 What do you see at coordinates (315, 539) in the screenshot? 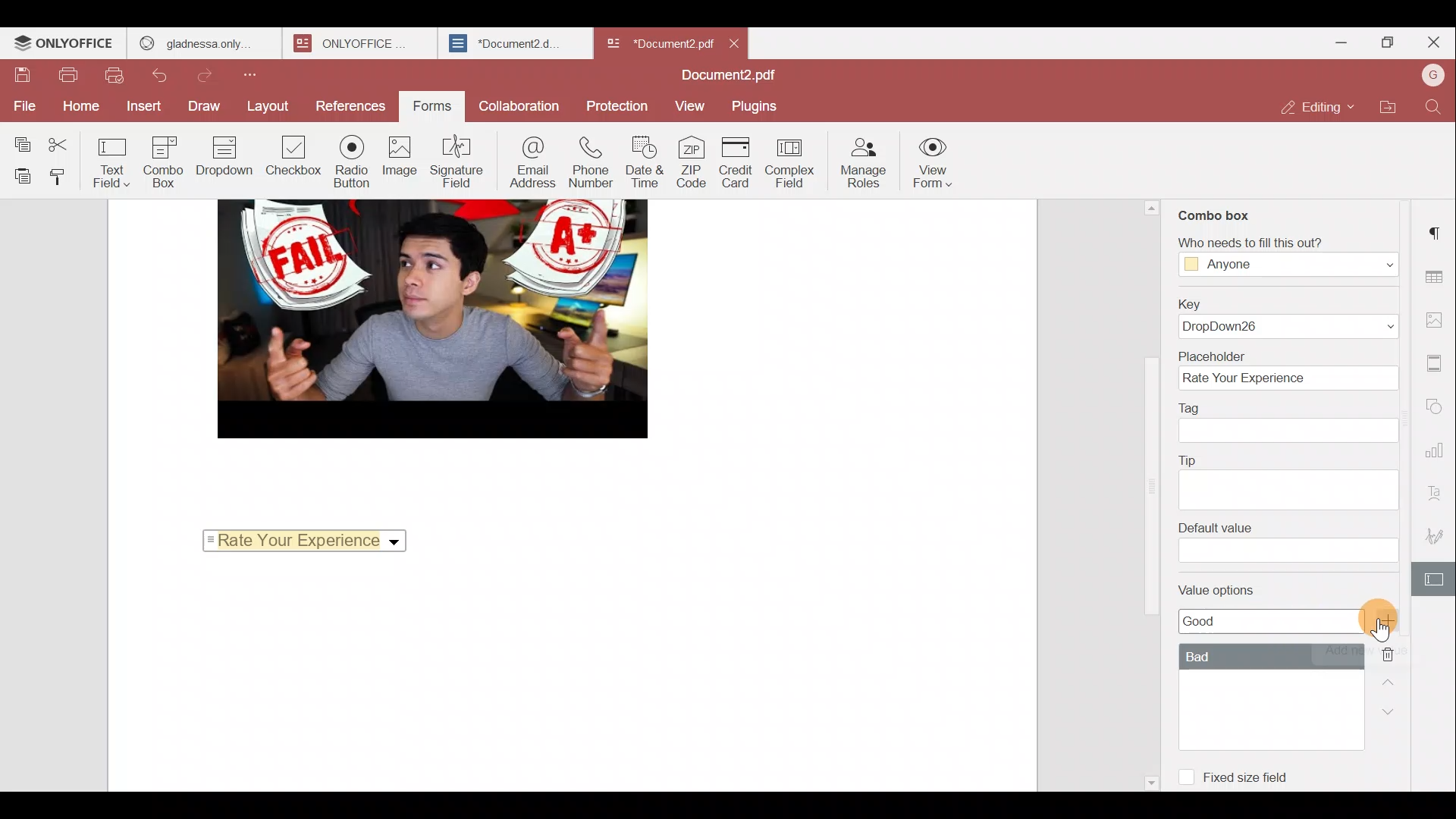
I see `Rate Your Experience ` at bounding box center [315, 539].